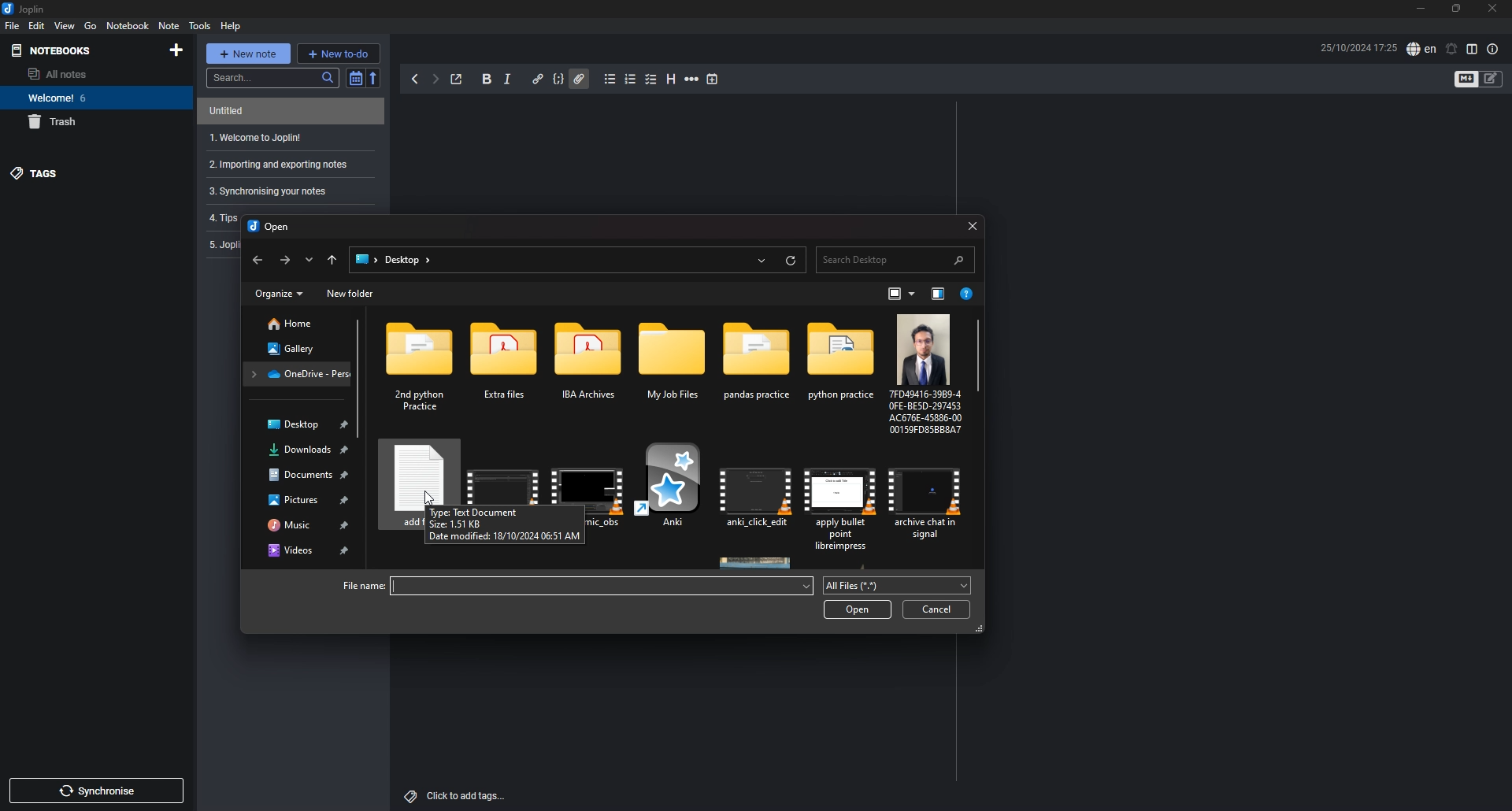  I want to click on Filename, so click(358, 585).